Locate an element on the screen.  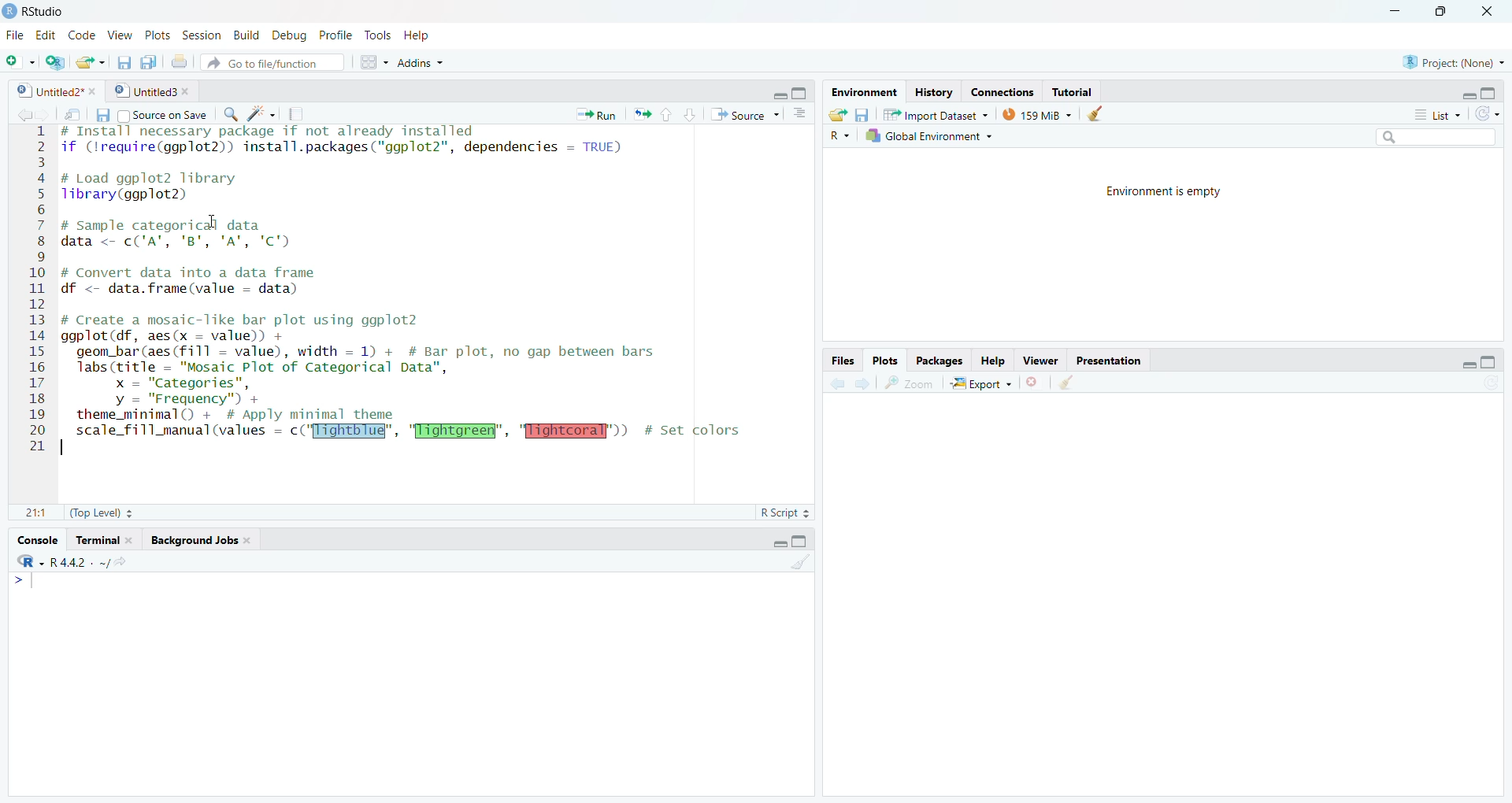
Down is located at coordinates (690, 113).